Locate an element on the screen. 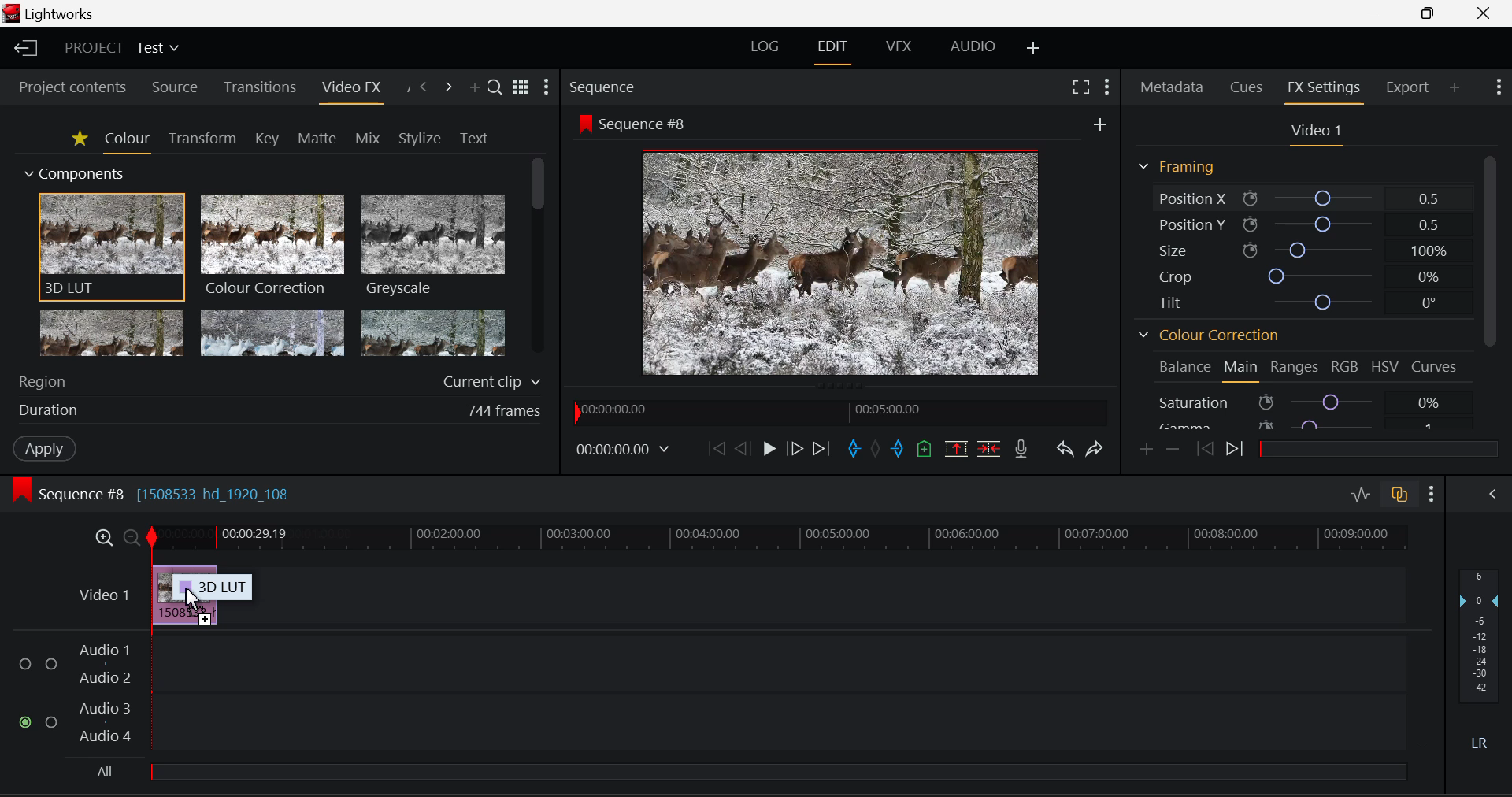  Components Section is located at coordinates (76, 172).